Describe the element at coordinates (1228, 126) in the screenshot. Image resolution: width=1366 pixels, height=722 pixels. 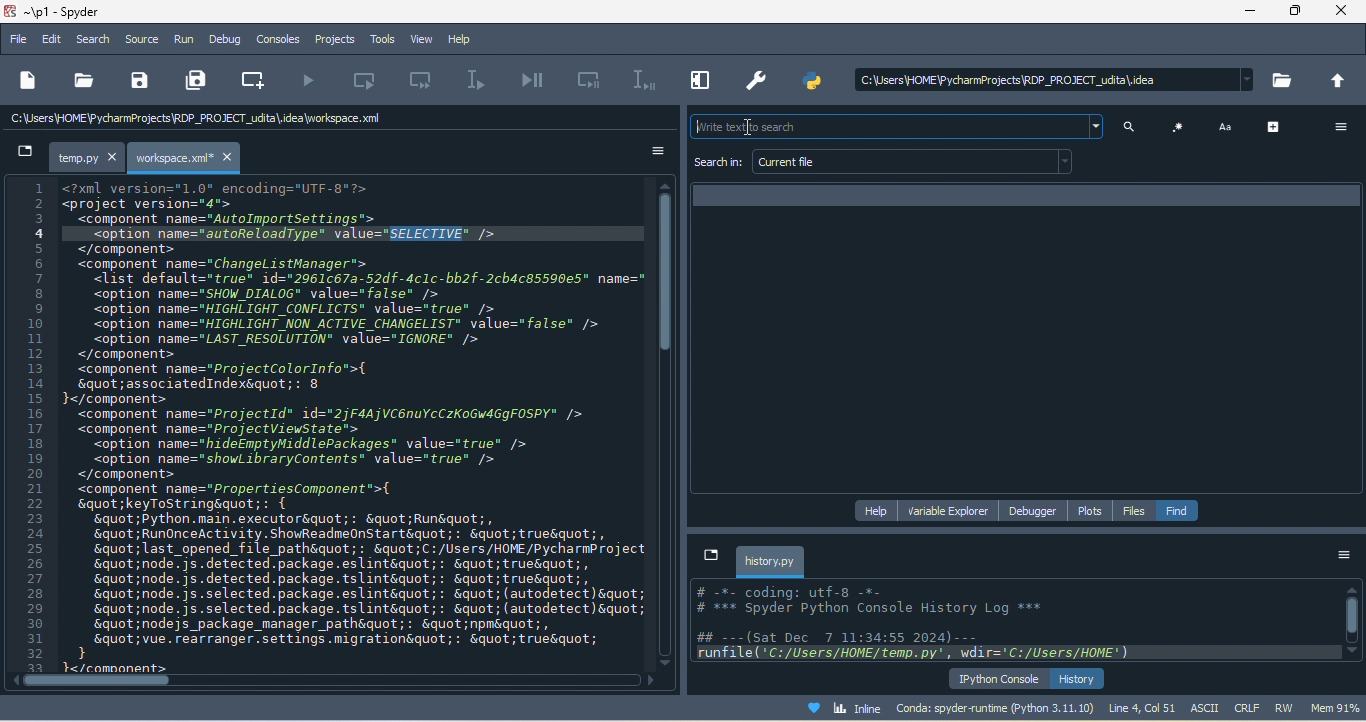
I see `text` at that location.